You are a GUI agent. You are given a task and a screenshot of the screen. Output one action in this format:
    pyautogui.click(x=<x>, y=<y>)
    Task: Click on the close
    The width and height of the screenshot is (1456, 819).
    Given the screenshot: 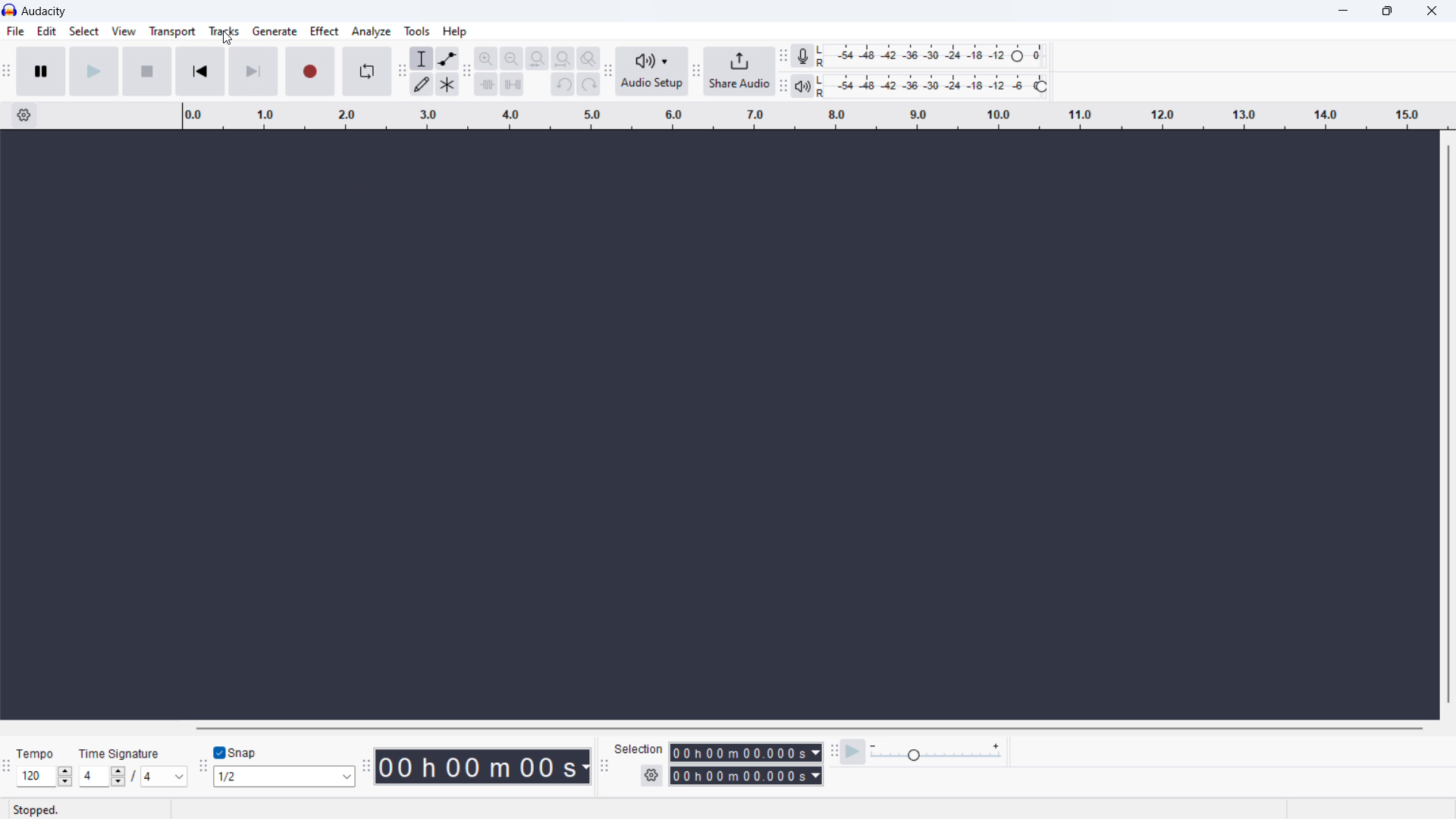 What is the action you would take?
    pyautogui.click(x=1429, y=13)
    